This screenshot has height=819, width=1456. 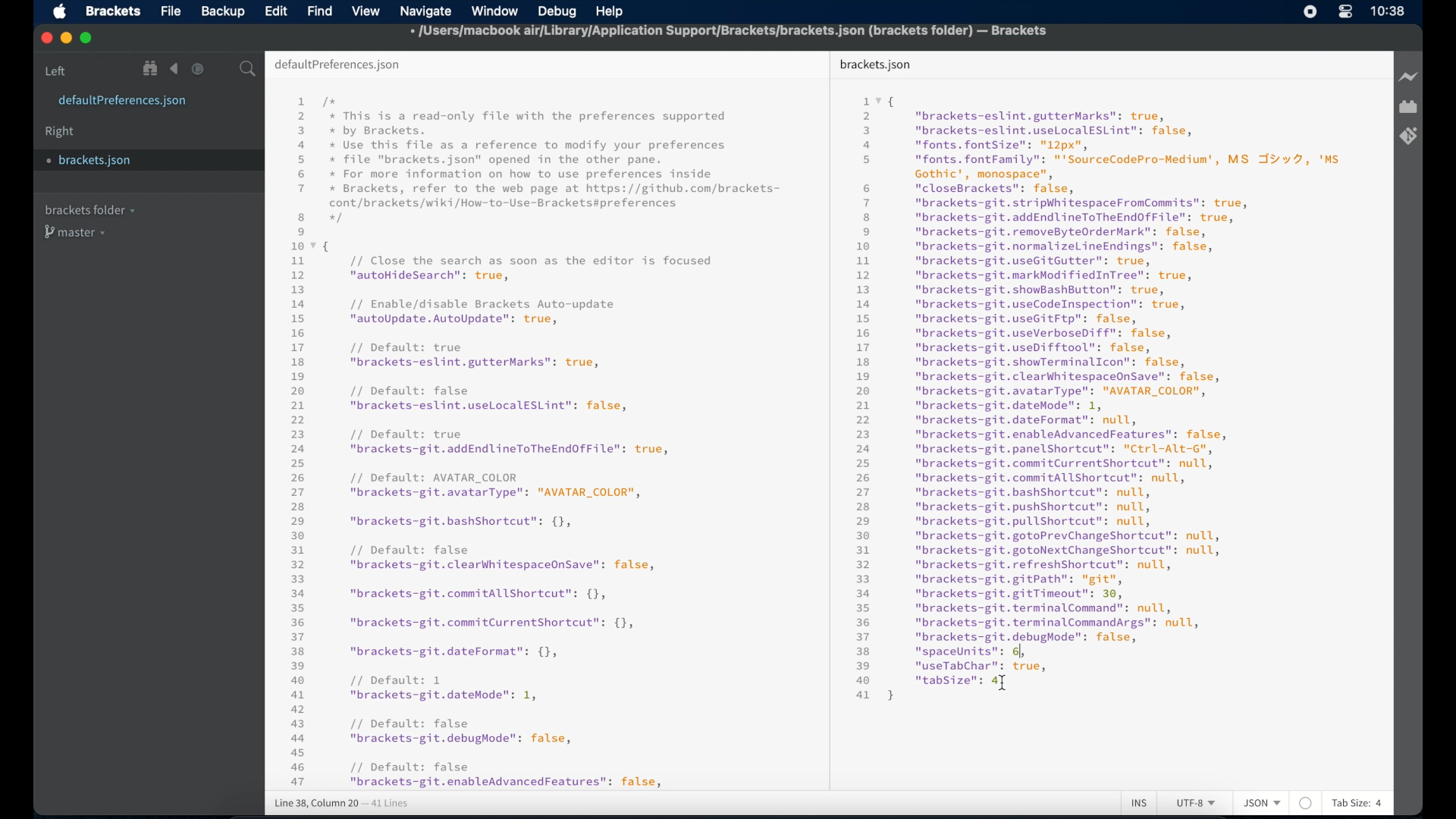 What do you see at coordinates (172, 12) in the screenshot?
I see `file` at bounding box center [172, 12].